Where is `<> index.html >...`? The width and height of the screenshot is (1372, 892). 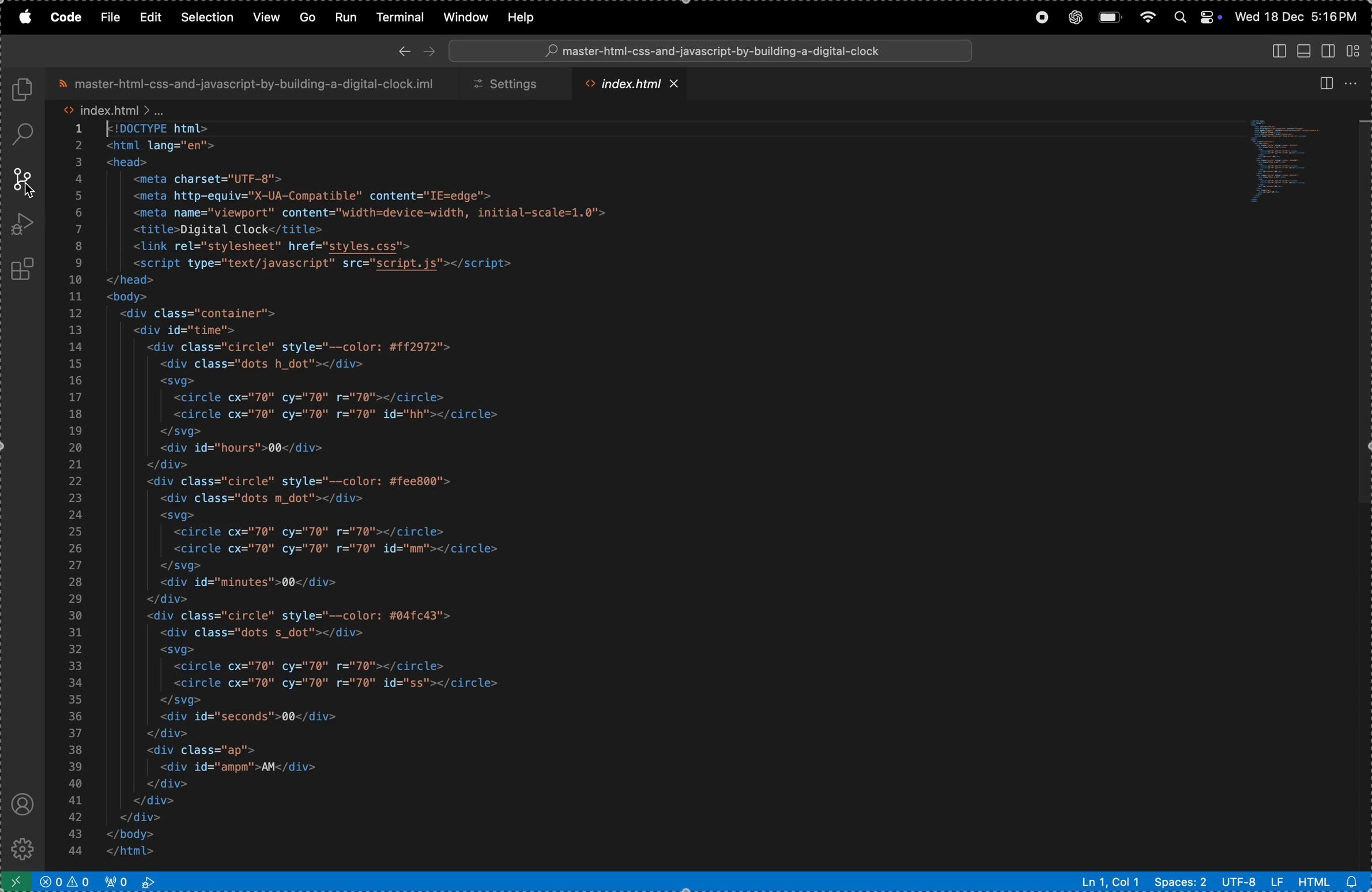
<> index.html >... is located at coordinates (113, 109).